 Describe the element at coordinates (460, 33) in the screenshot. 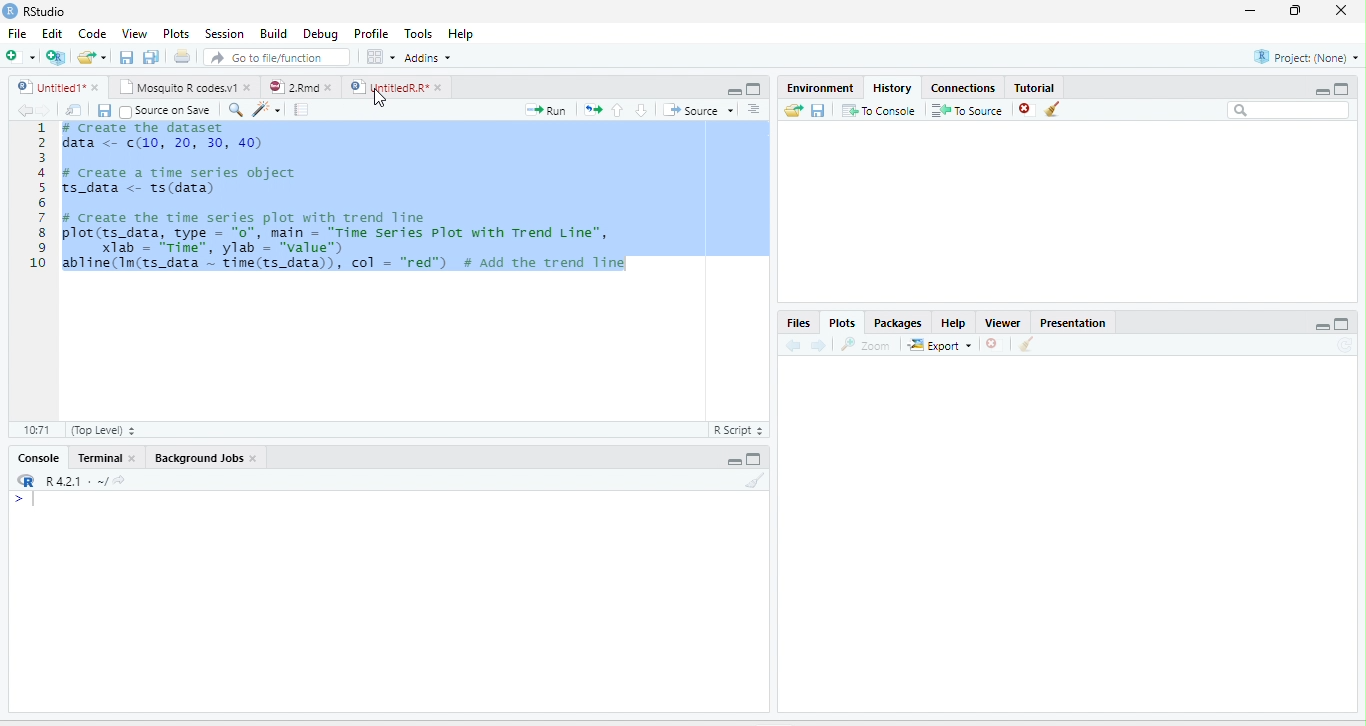

I see `Help` at that location.